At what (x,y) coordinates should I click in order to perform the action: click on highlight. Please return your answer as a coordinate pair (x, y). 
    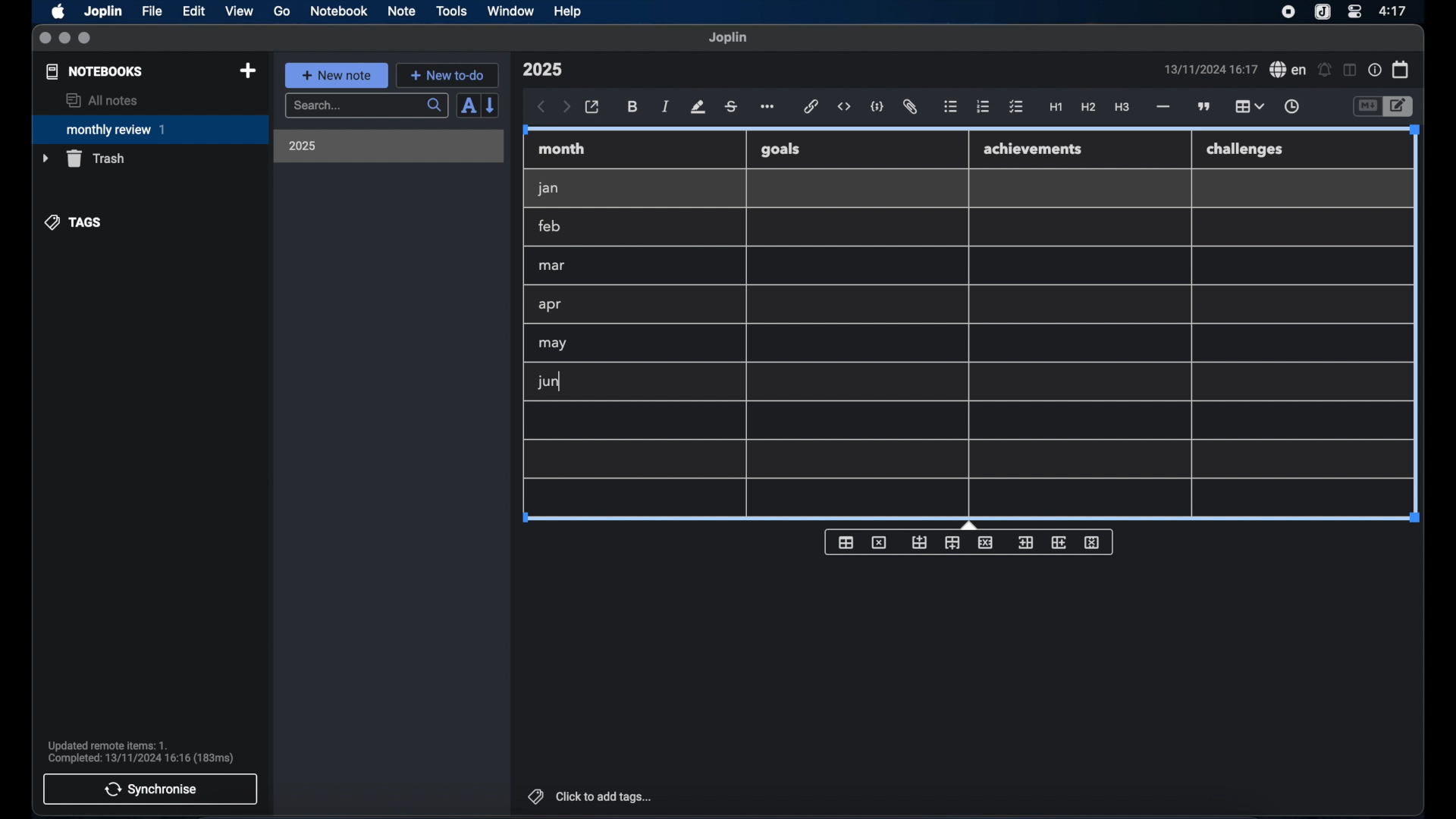
    Looking at the image, I should click on (698, 107).